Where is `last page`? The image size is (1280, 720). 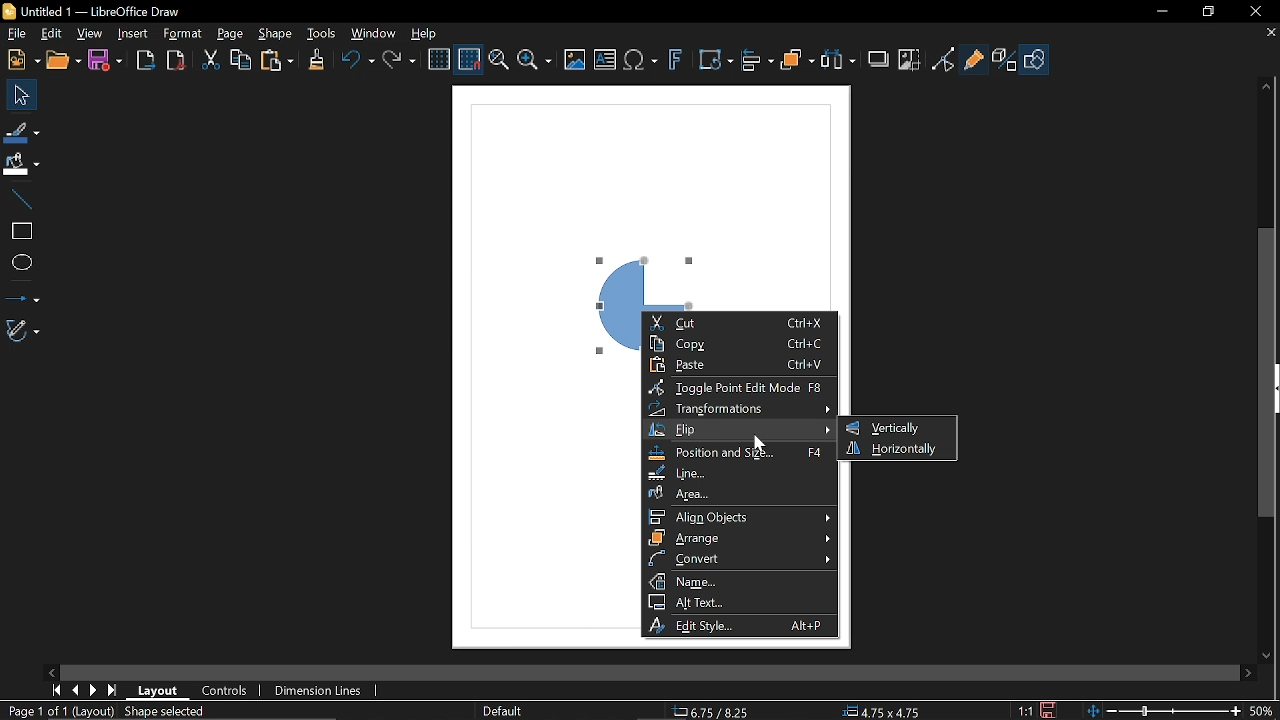 last page is located at coordinates (114, 691).